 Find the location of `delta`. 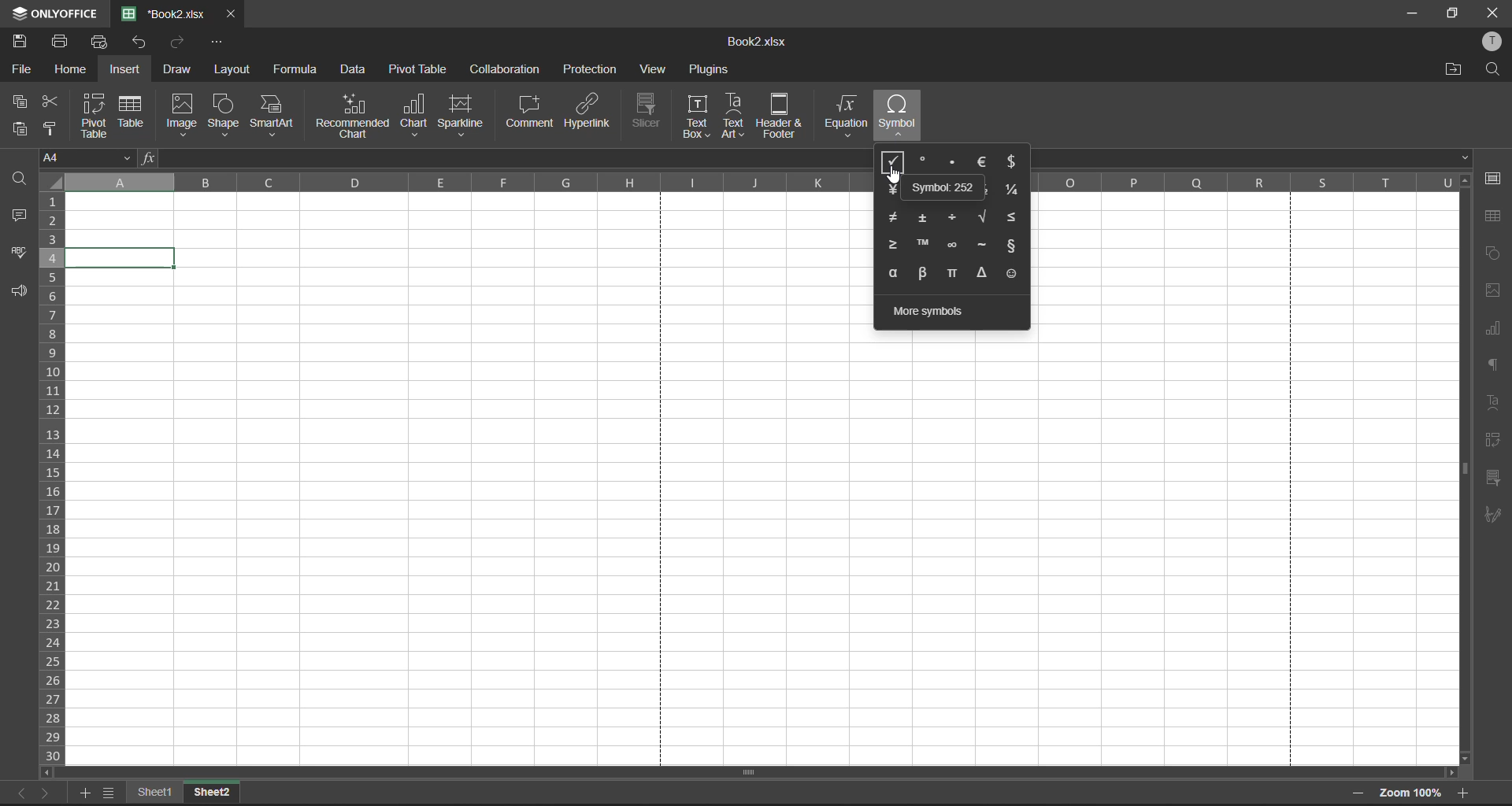

delta is located at coordinates (982, 273).